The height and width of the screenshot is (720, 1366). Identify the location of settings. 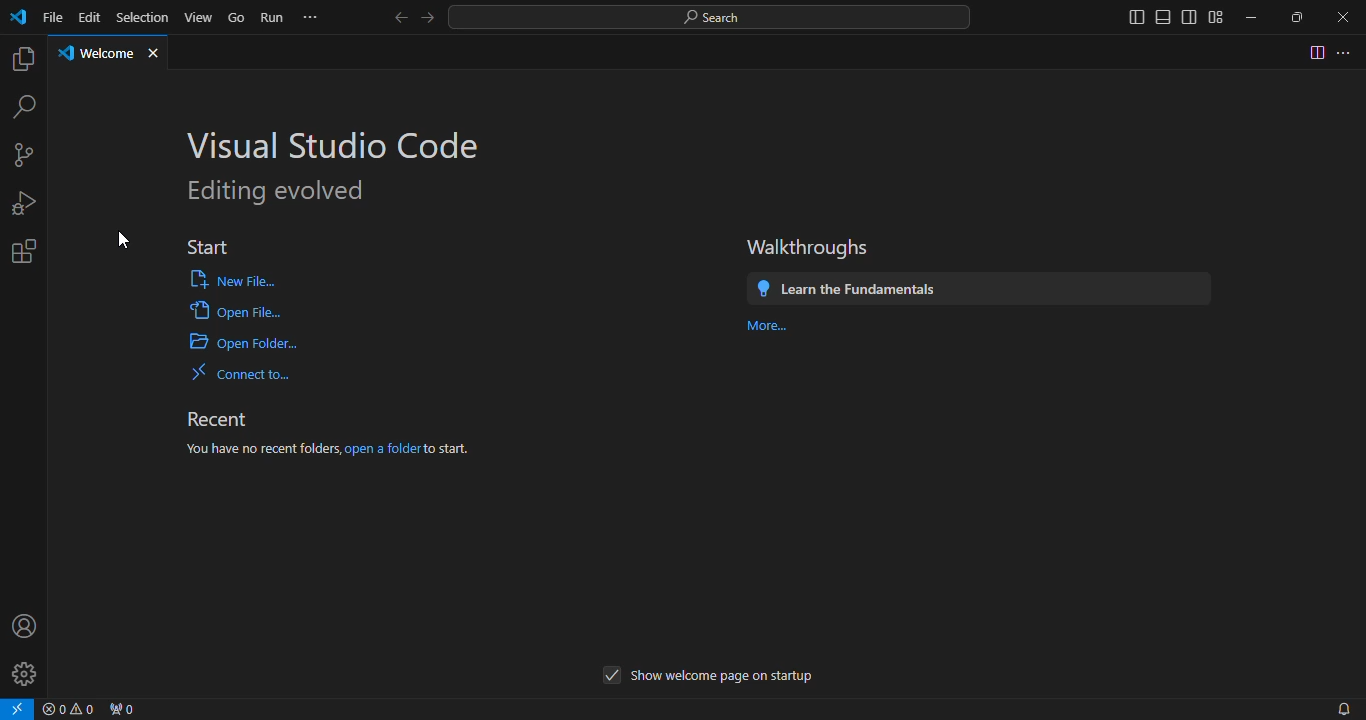
(23, 255).